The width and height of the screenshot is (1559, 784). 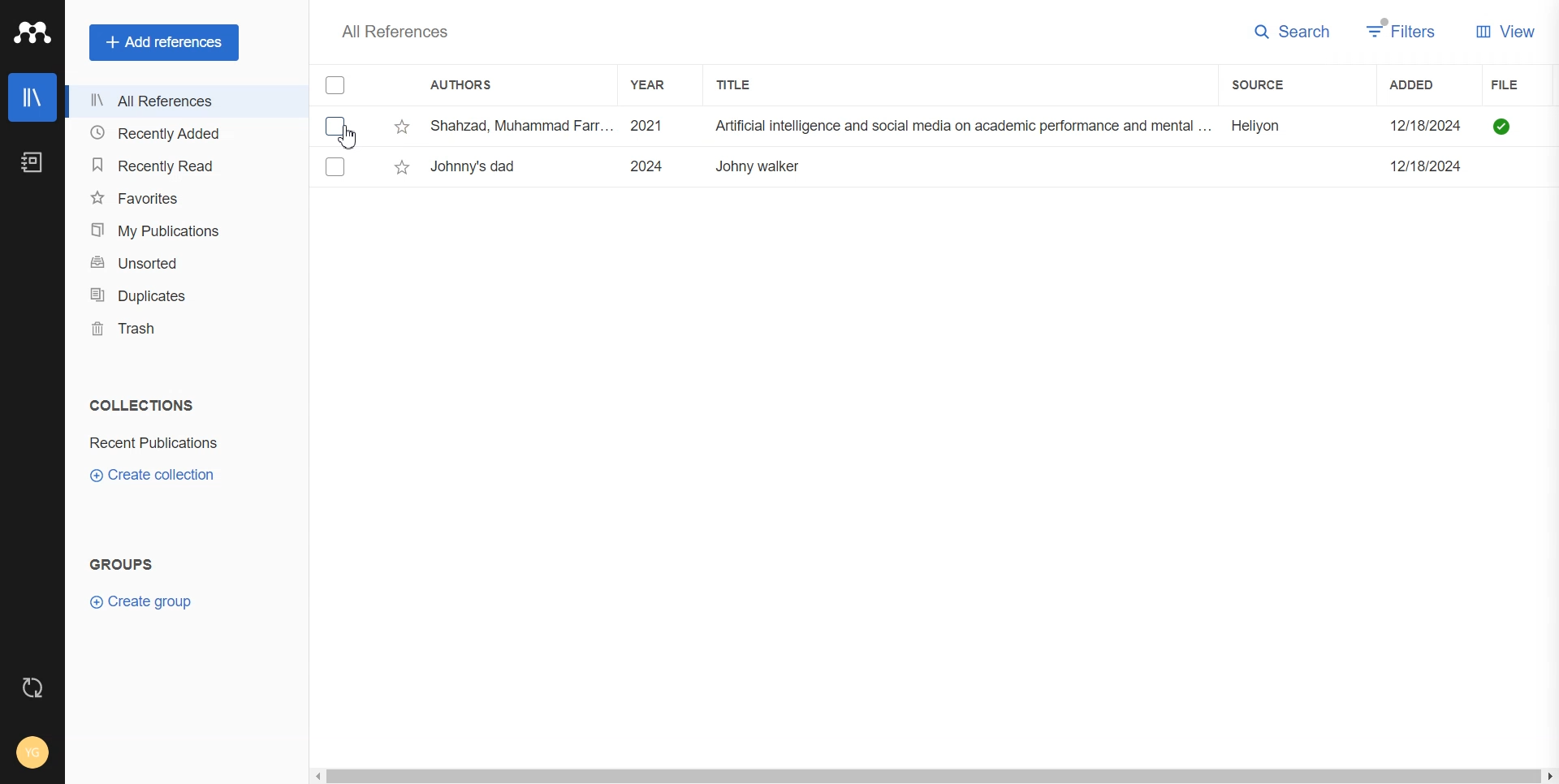 What do you see at coordinates (469, 86) in the screenshot?
I see `Authors` at bounding box center [469, 86].